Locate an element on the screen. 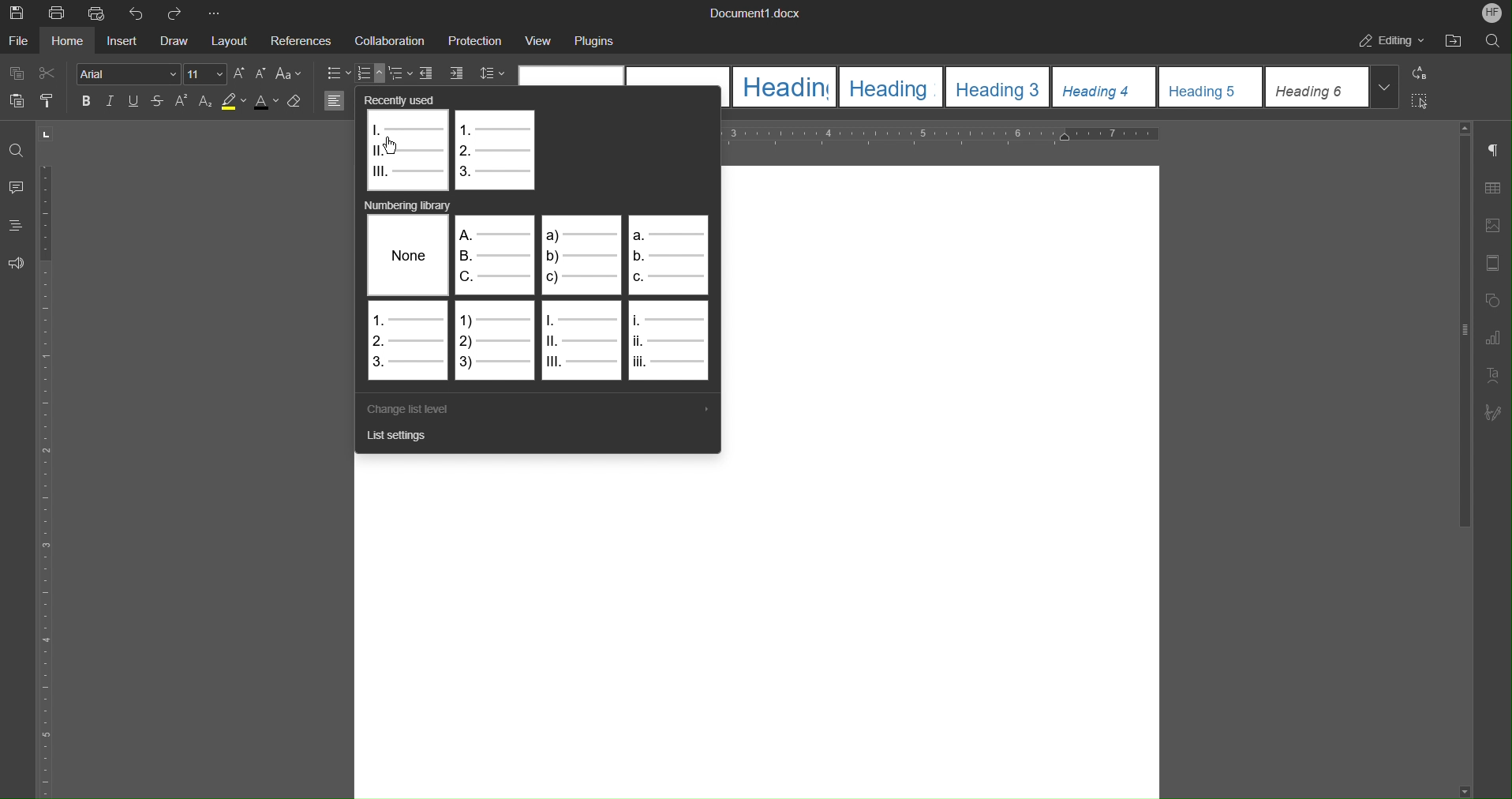 This screenshot has height=799, width=1512. Home is located at coordinates (65, 41).